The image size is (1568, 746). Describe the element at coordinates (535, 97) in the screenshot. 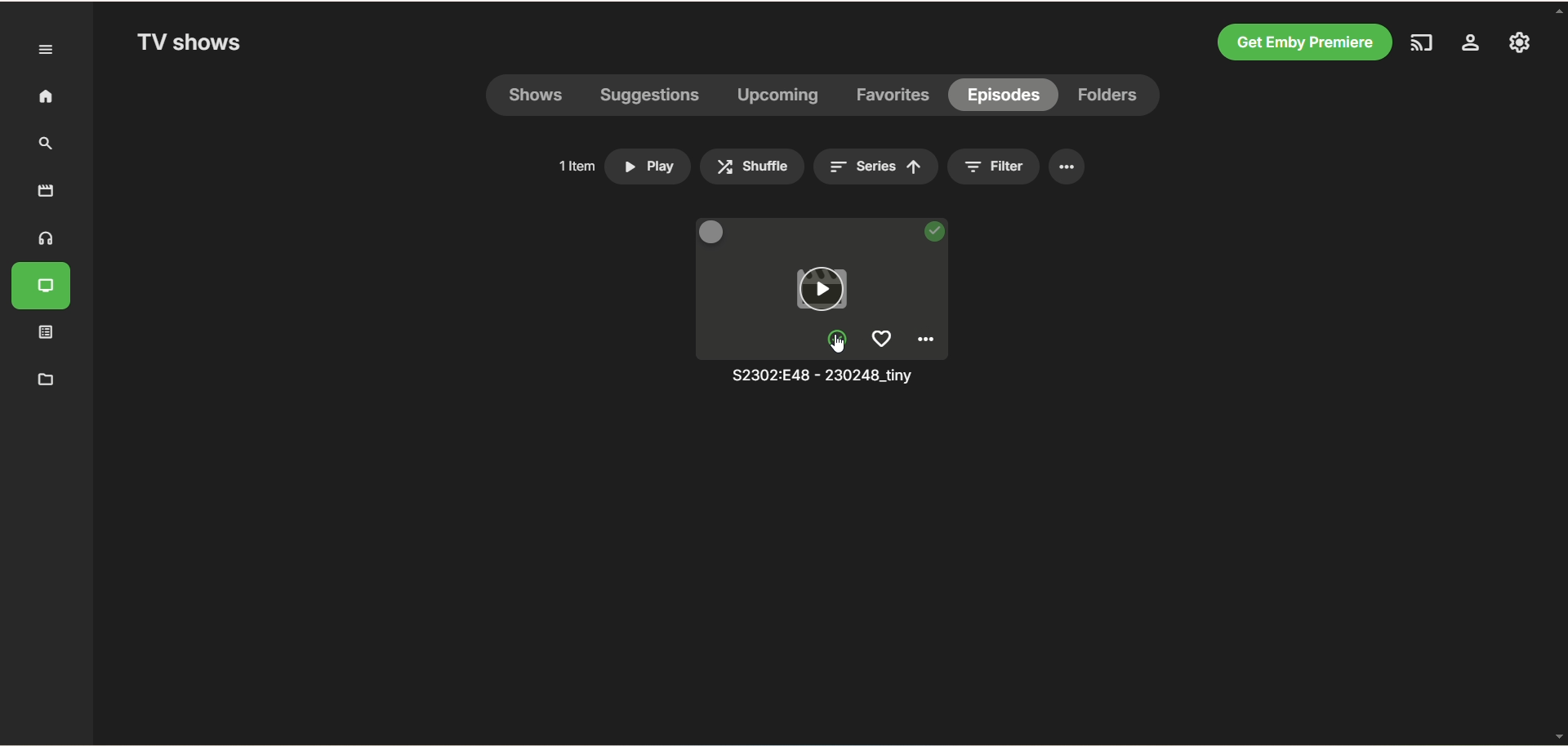

I see `shows` at that location.